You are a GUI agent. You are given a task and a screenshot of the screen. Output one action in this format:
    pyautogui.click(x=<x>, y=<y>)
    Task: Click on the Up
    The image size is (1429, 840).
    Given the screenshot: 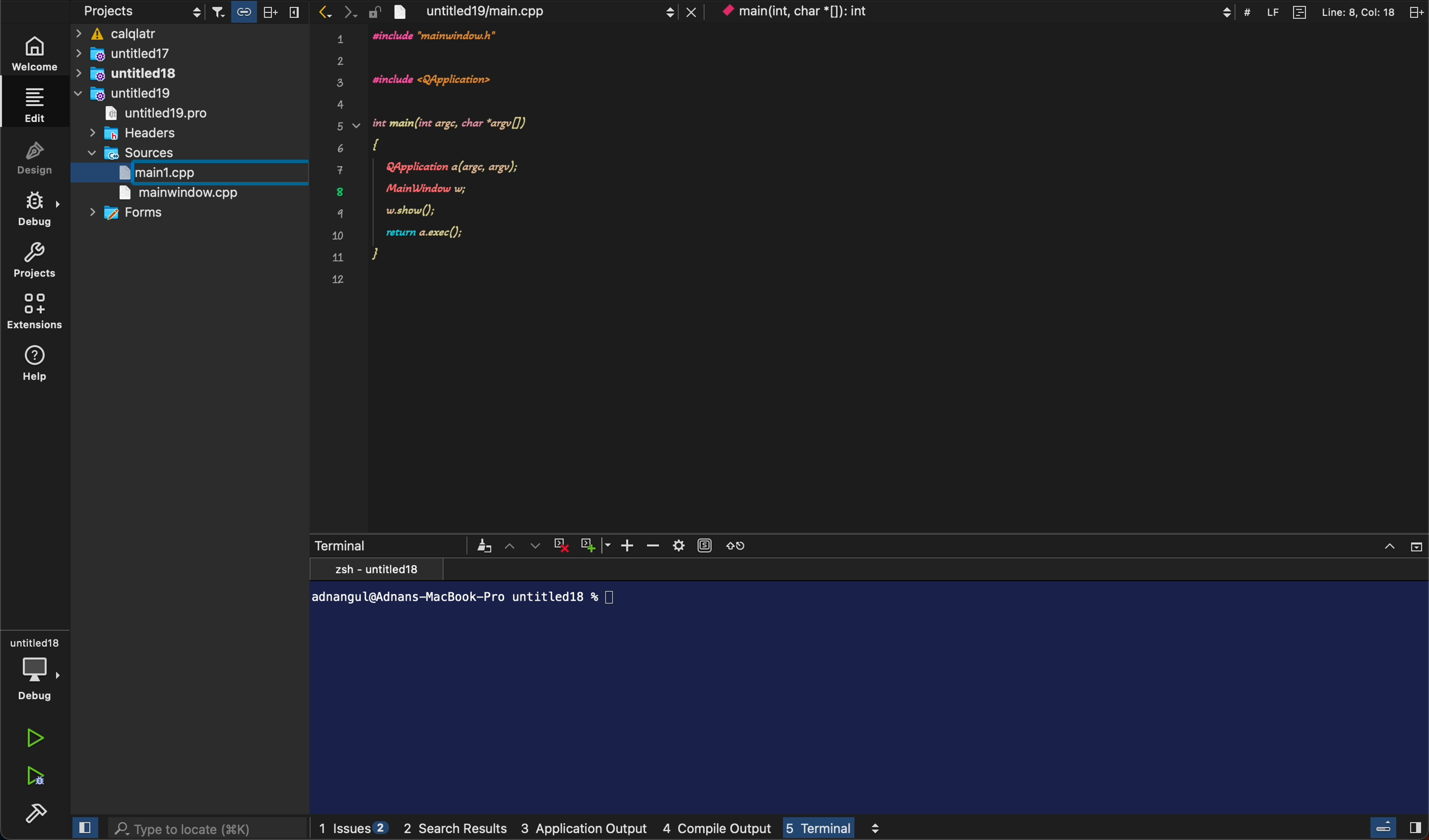 What is the action you would take?
    pyautogui.click(x=511, y=545)
    